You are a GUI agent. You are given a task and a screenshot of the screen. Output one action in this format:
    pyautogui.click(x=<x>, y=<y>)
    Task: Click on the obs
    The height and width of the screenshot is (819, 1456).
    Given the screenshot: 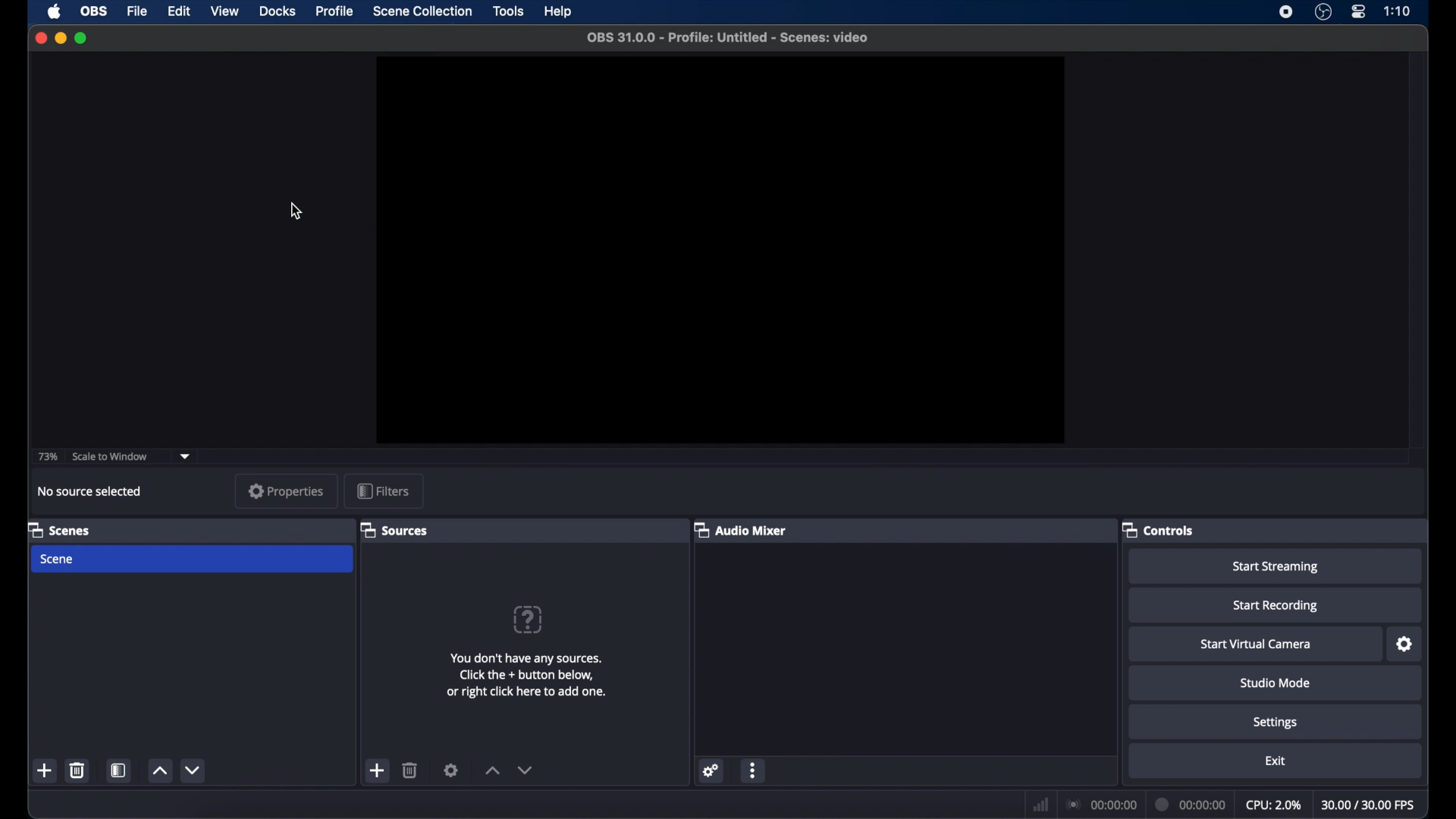 What is the action you would take?
    pyautogui.click(x=92, y=11)
    